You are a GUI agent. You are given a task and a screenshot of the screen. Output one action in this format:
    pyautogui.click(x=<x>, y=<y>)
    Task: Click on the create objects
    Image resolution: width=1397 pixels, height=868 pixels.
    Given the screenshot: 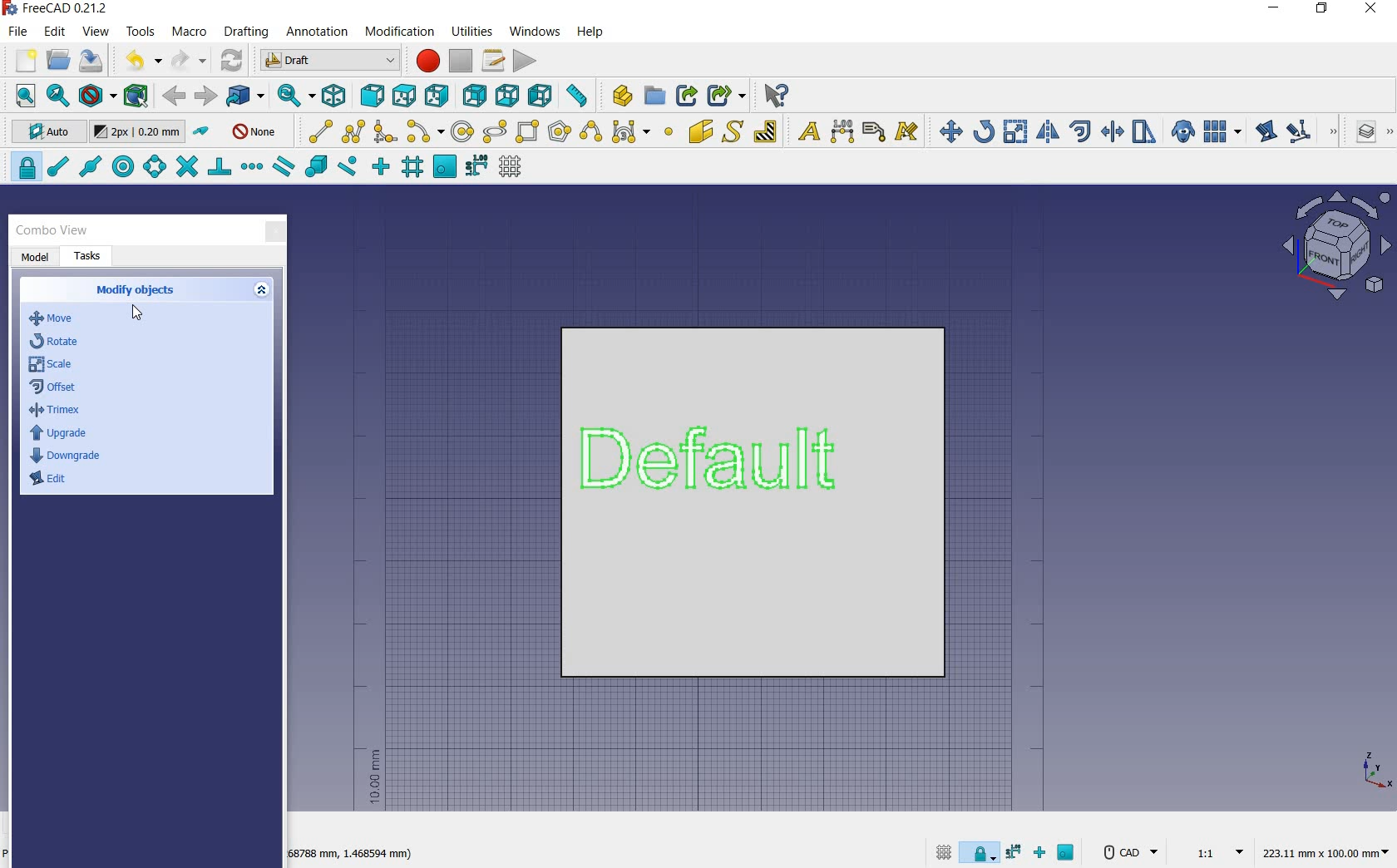 What is the action you would take?
    pyautogui.click(x=138, y=291)
    